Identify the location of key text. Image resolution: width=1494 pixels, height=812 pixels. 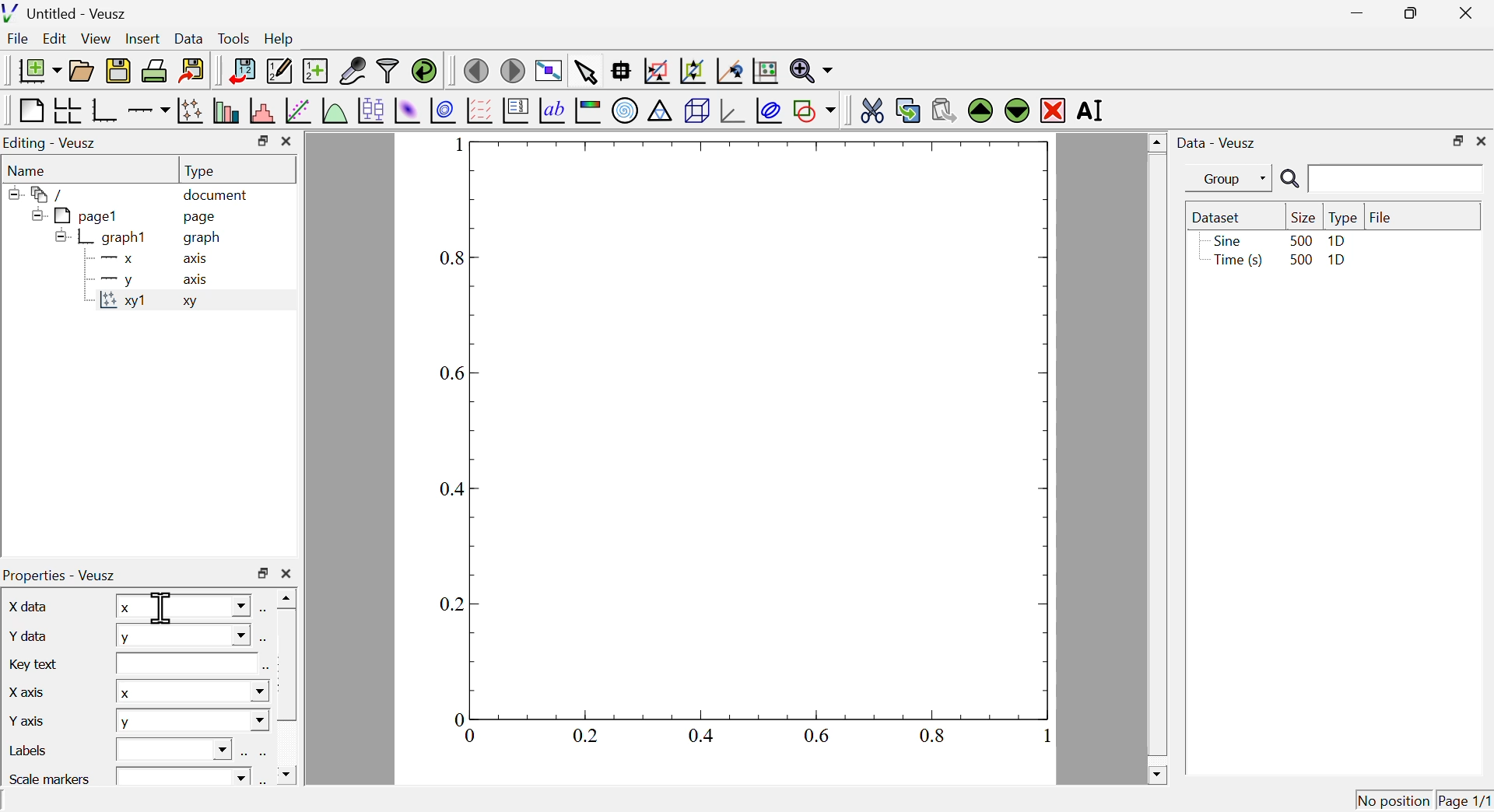
(37, 663).